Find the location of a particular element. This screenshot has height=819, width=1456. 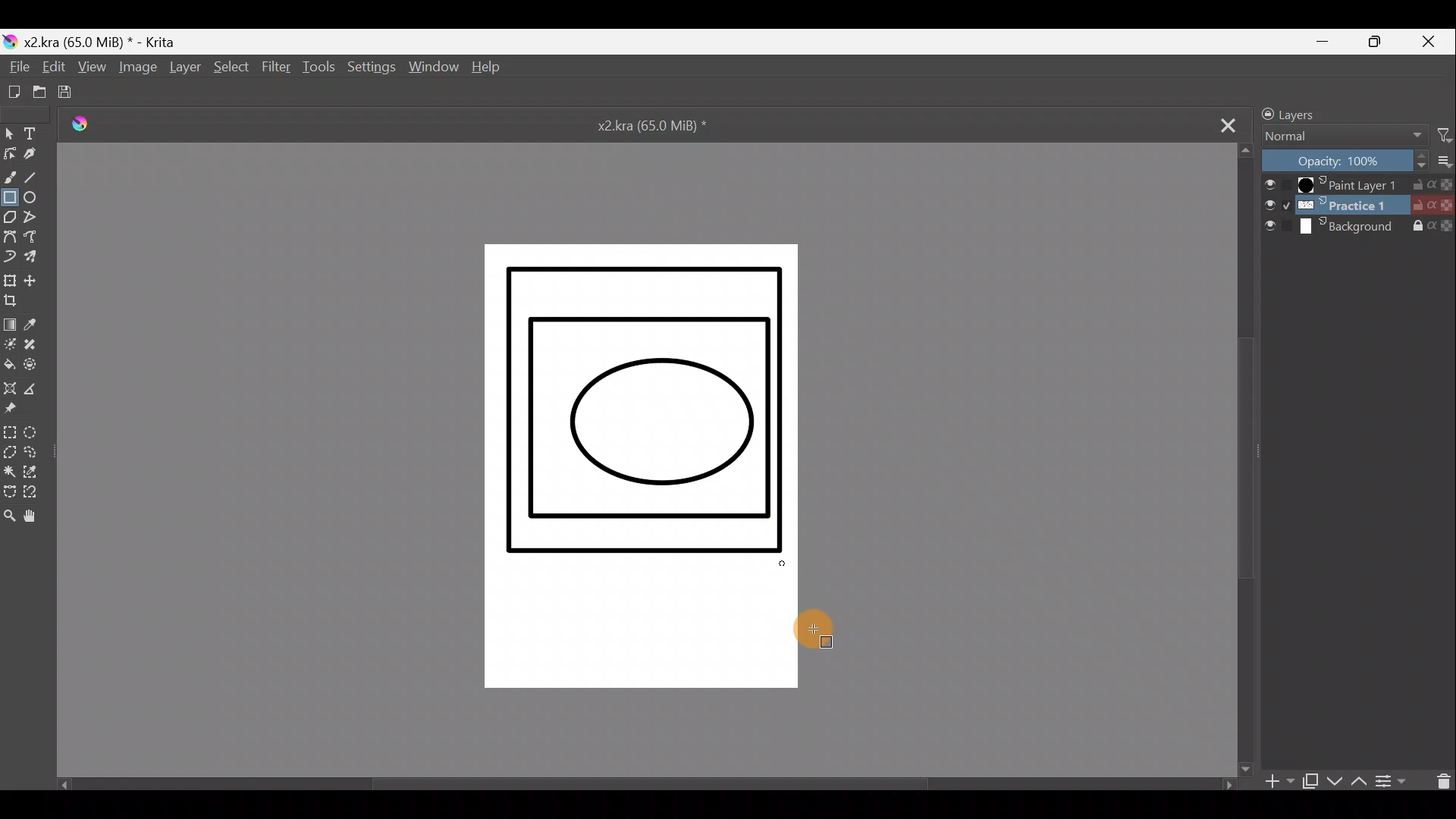

Enclose & fill tool is located at coordinates (37, 366).